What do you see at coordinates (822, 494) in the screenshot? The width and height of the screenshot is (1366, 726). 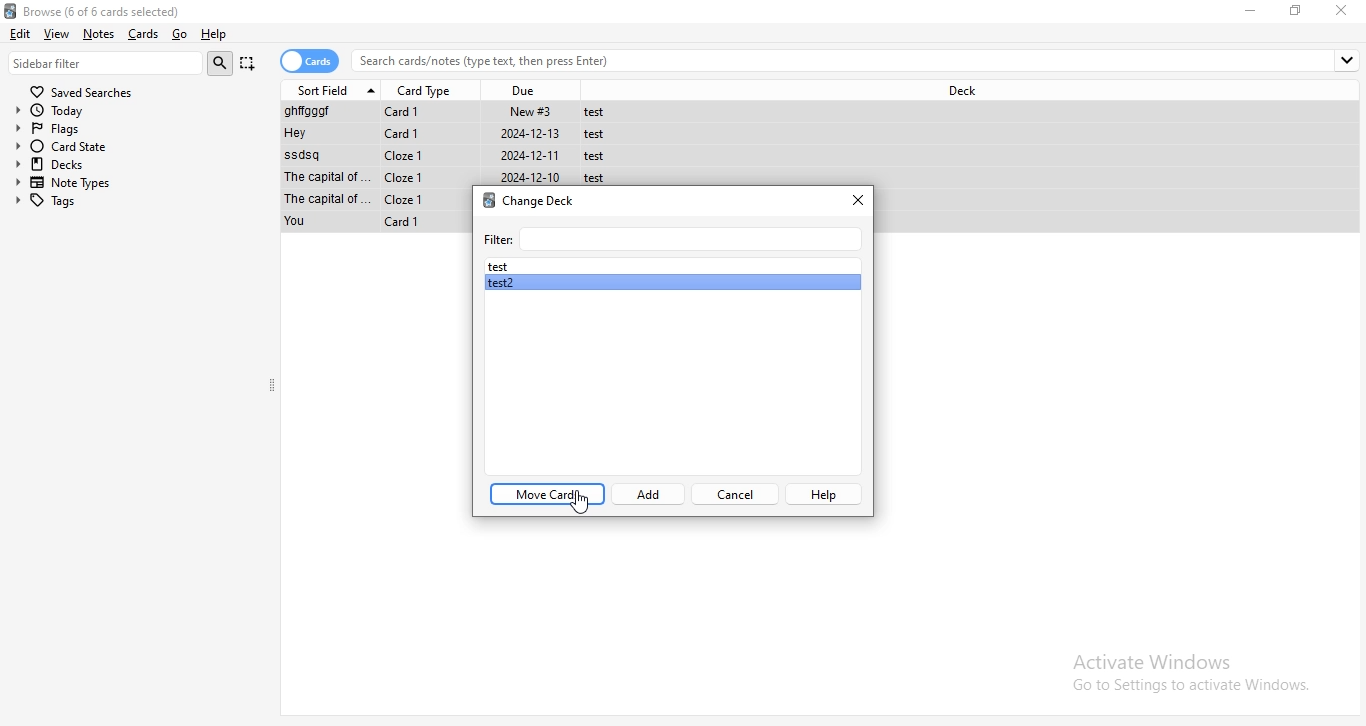 I see `help` at bounding box center [822, 494].